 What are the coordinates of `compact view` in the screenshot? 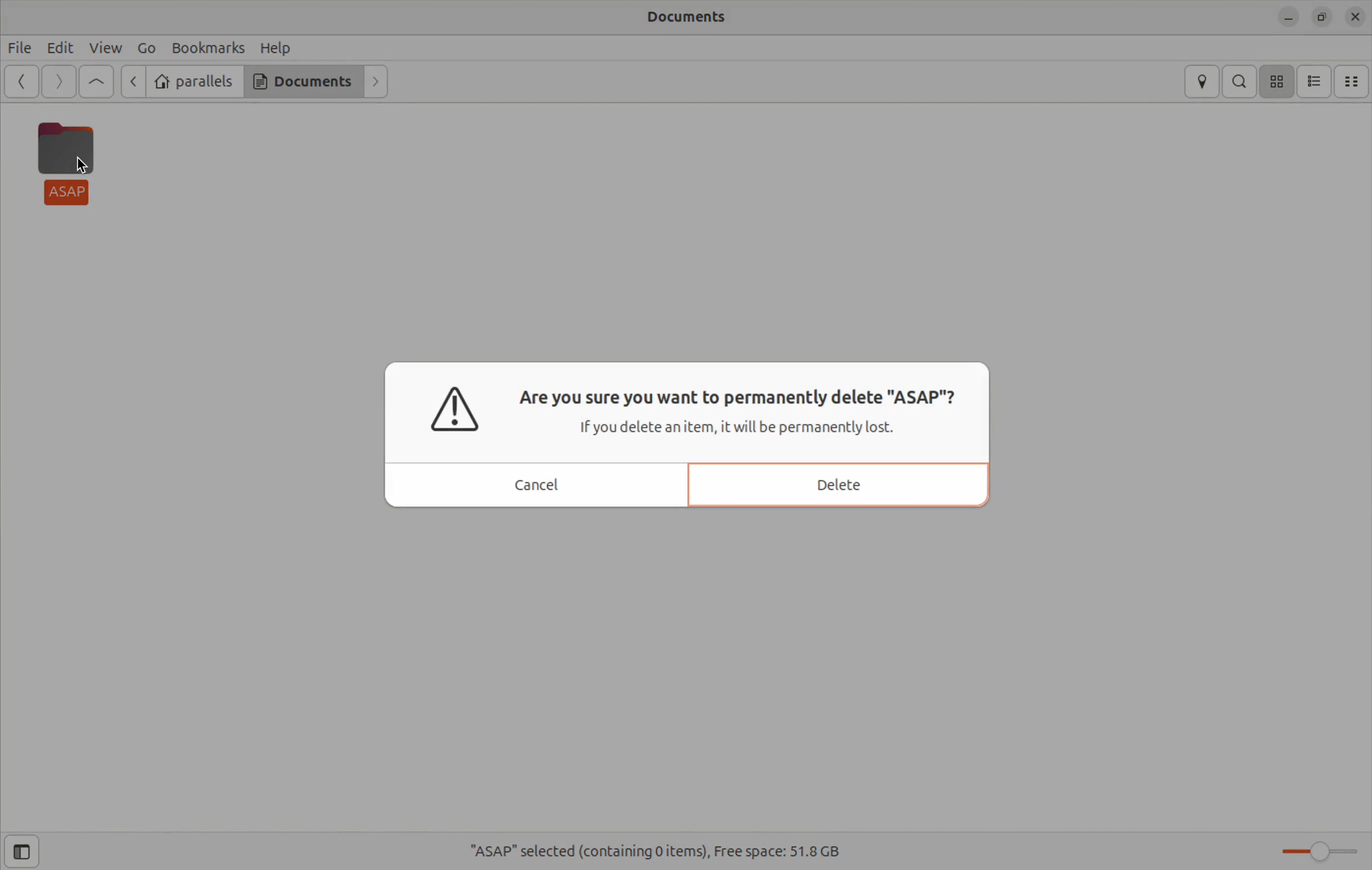 It's located at (1353, 79).